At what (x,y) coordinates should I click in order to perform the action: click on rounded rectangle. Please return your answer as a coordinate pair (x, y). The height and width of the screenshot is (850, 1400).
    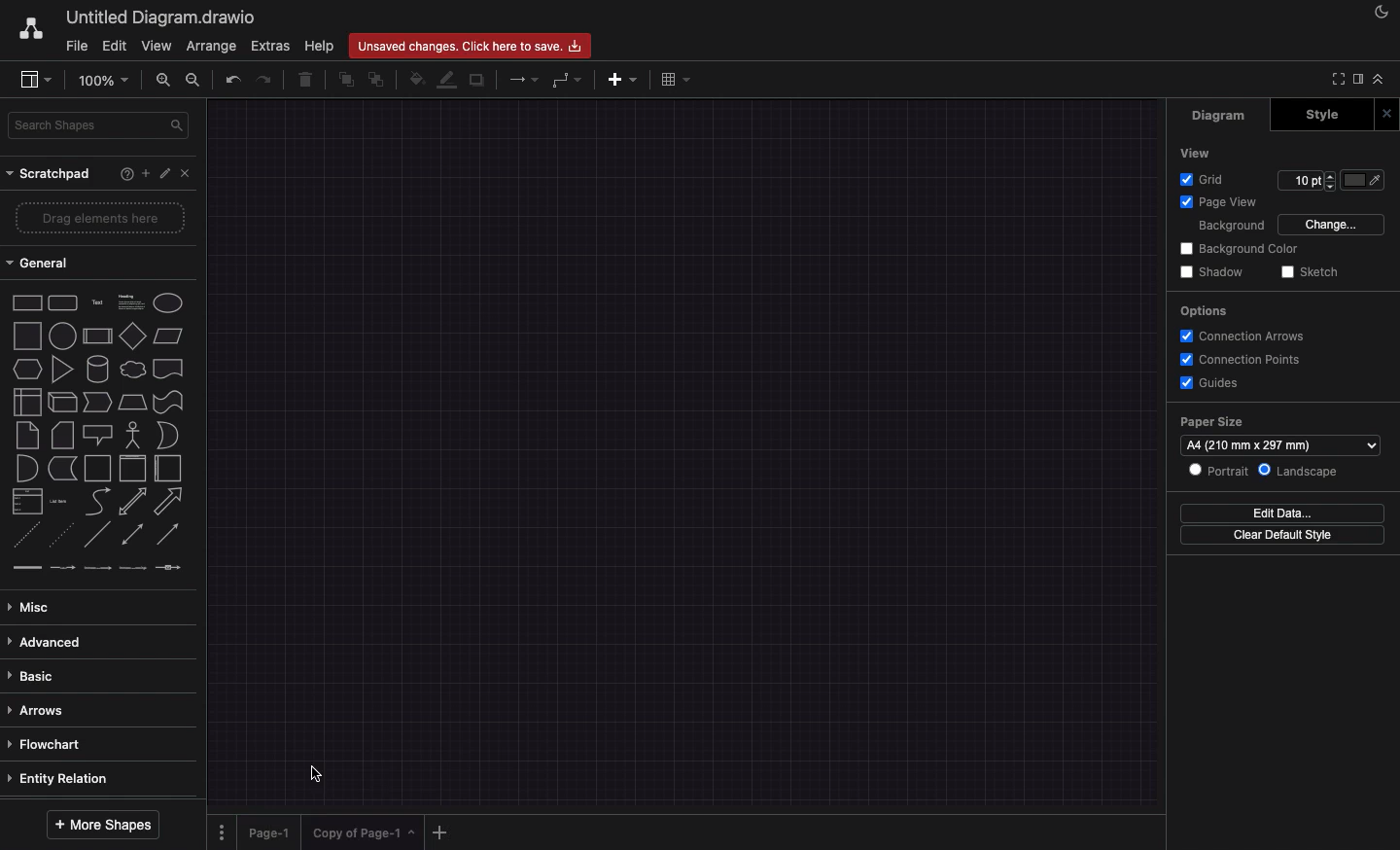
    Looking at the image, I should click on (64, 303).